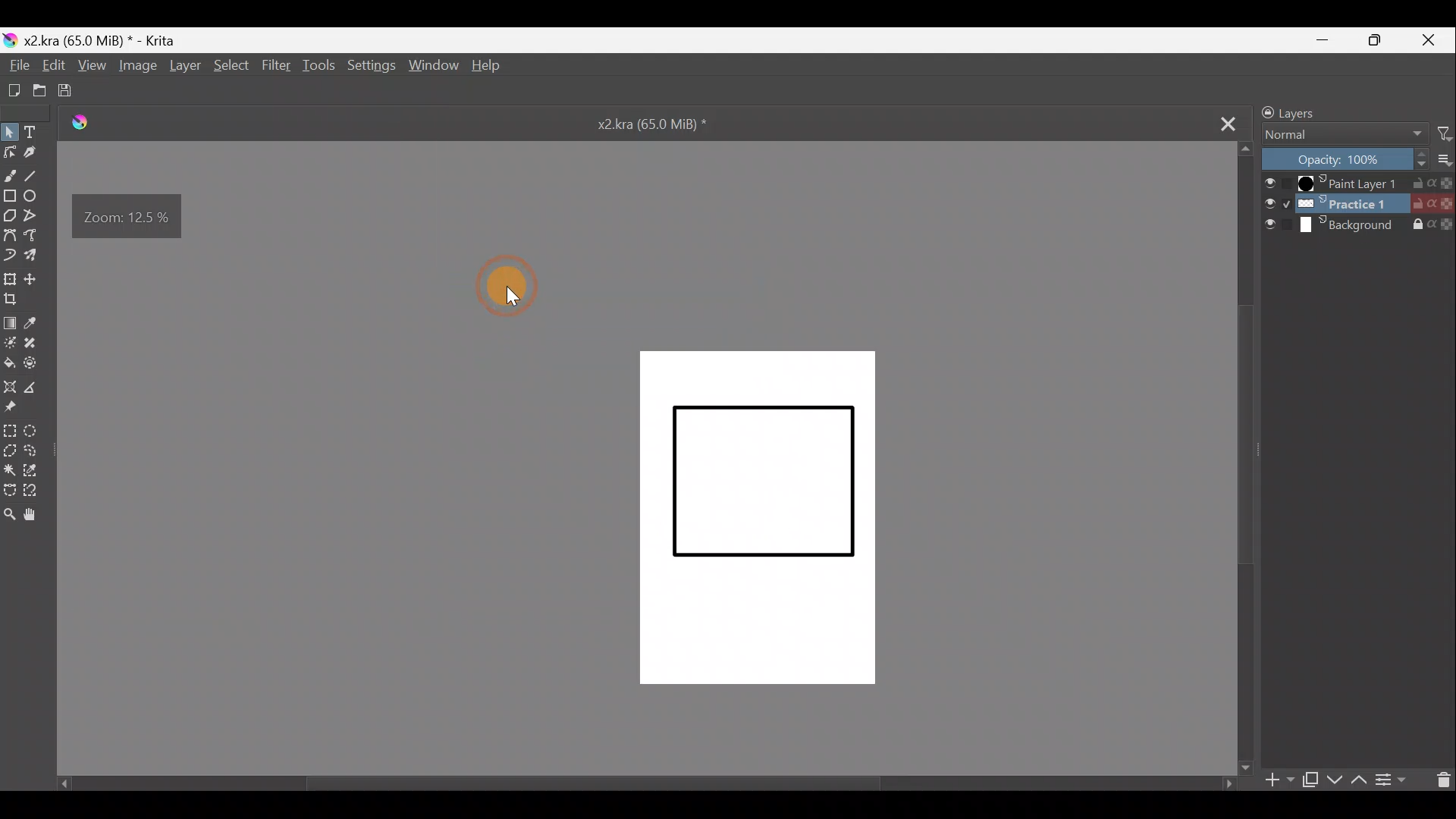 The height and width of the screenshot is (819, 1456). I want to click on Add layer, so click(1282, 782).